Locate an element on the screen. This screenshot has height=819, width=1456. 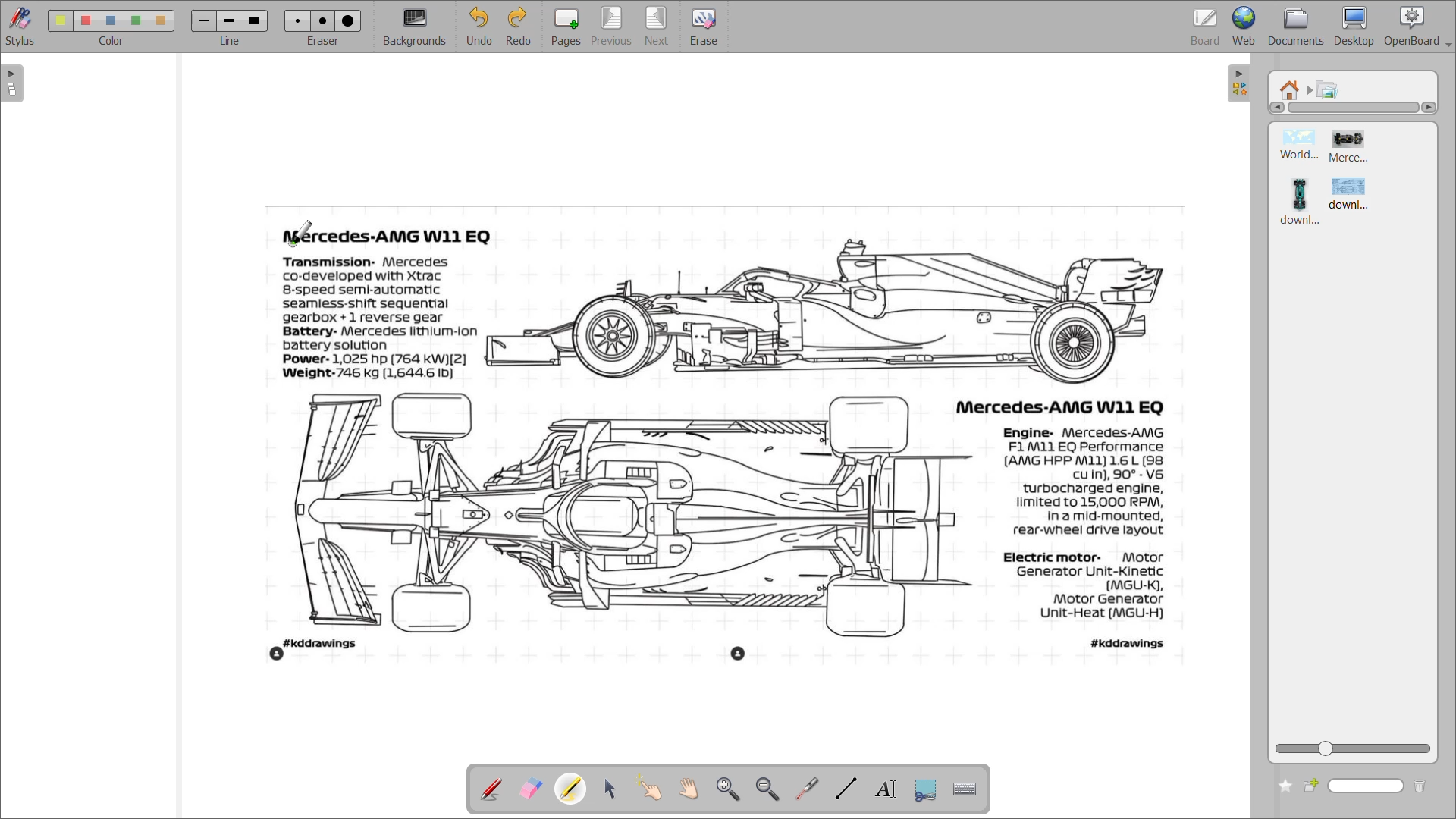
next is located at coordinates (658, 25).